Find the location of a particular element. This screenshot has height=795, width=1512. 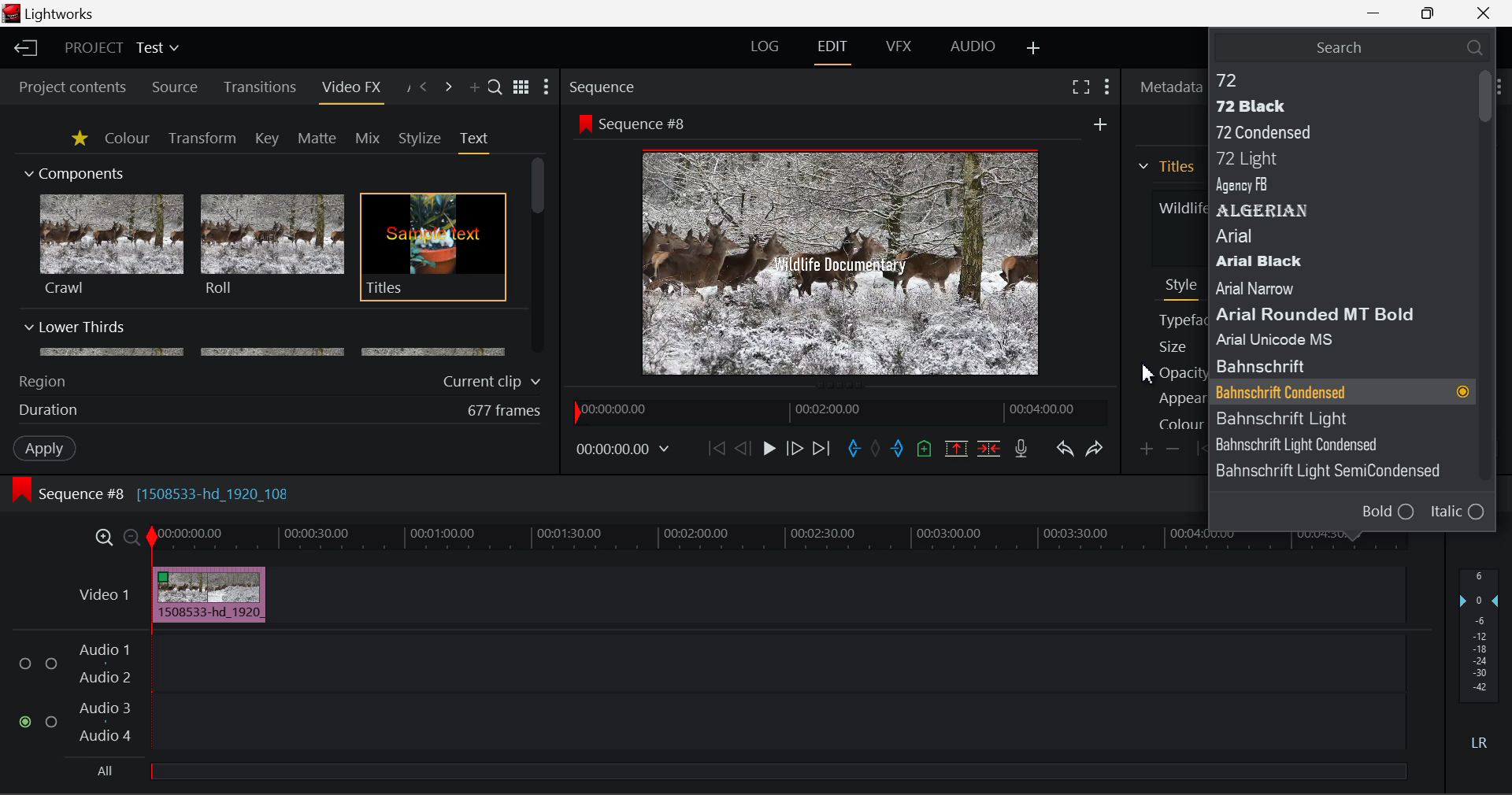

Lower Thirds is located at coordinates (266, 338).